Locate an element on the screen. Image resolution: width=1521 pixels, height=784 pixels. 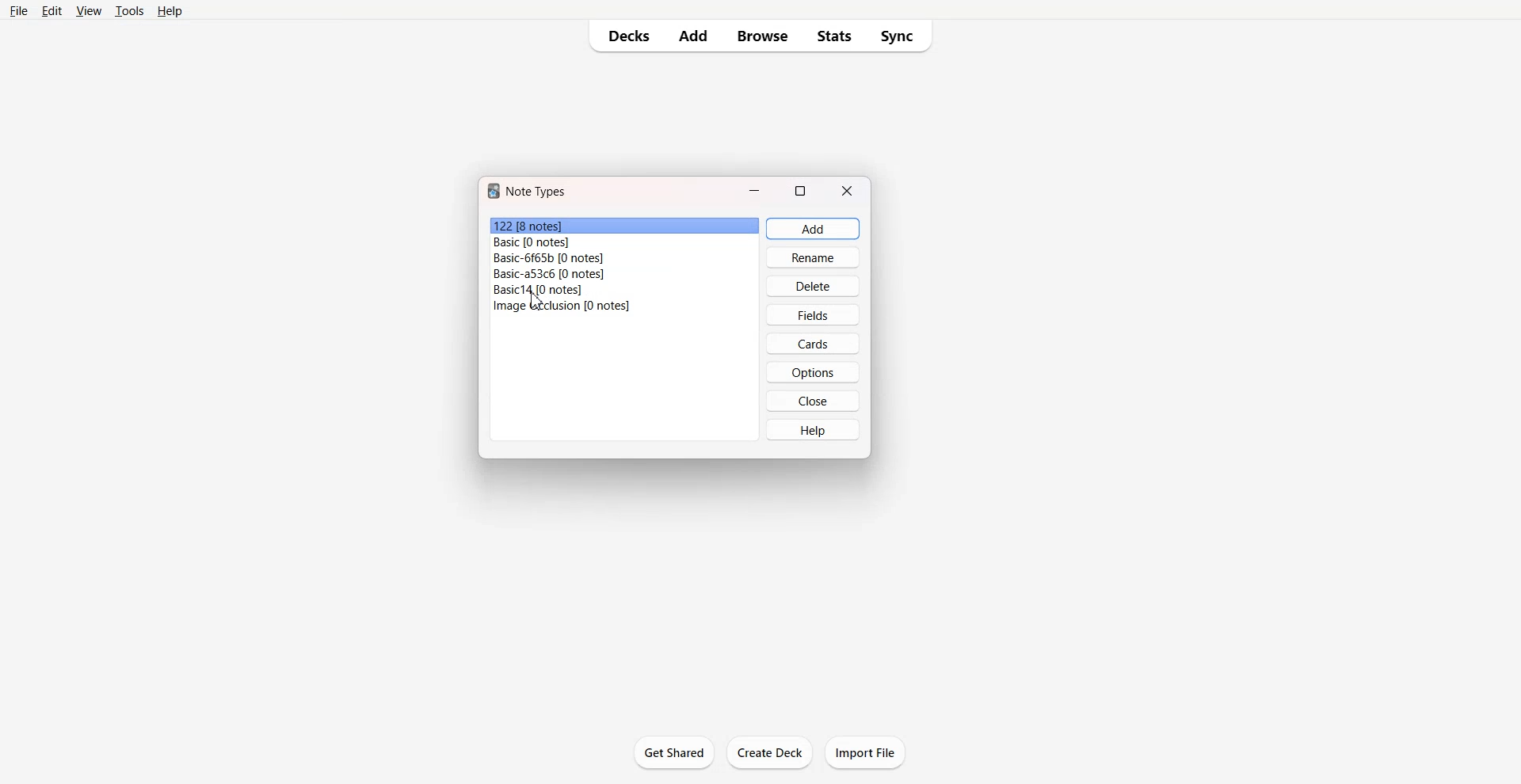
Stats is located at coordinates (833, 36).